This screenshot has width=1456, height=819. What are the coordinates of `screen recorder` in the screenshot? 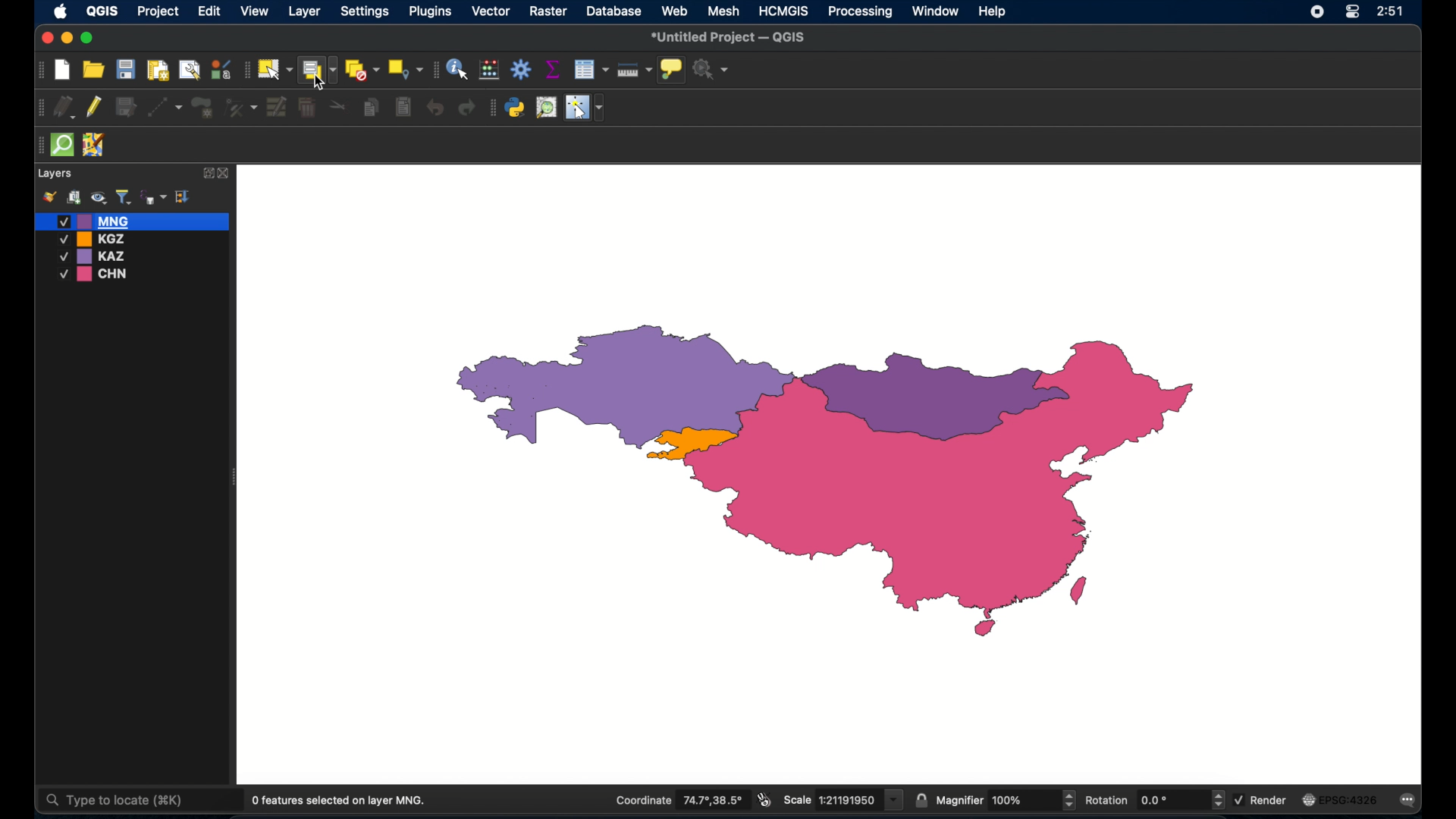 It's located at (1316, 11).